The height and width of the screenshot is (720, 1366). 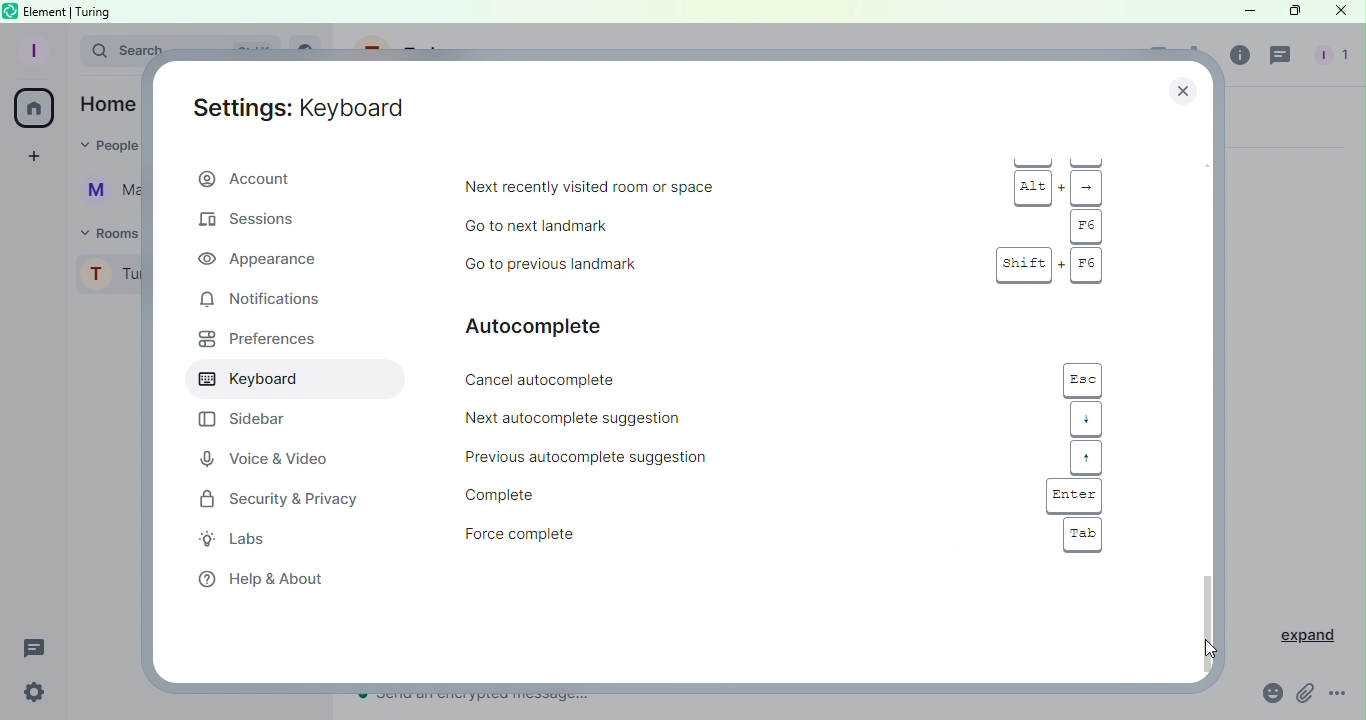 What do you see at coordinates (1305, 697) in the screenshot?
I see `Attachment` at bounding box center [1305, 697].